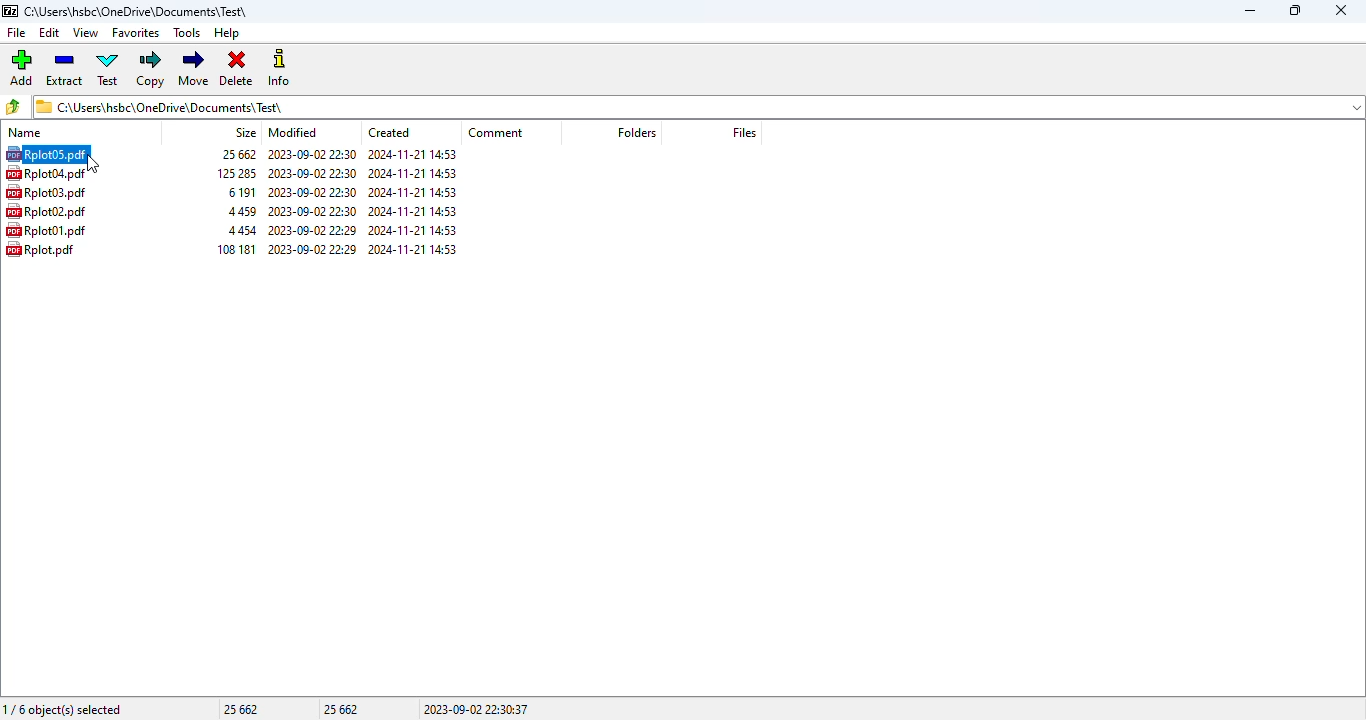  Describe the element at coordinates (45, 173) in the screenshot. I see `rplot04` at that location.